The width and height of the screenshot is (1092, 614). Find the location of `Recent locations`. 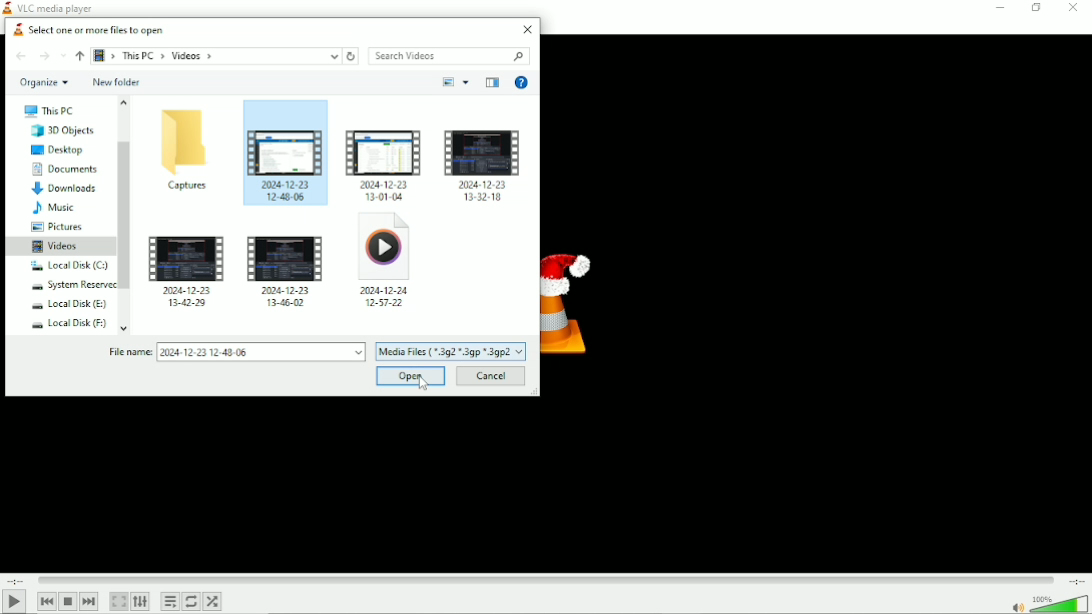

Recent locations is located at coordinates (64, 56).